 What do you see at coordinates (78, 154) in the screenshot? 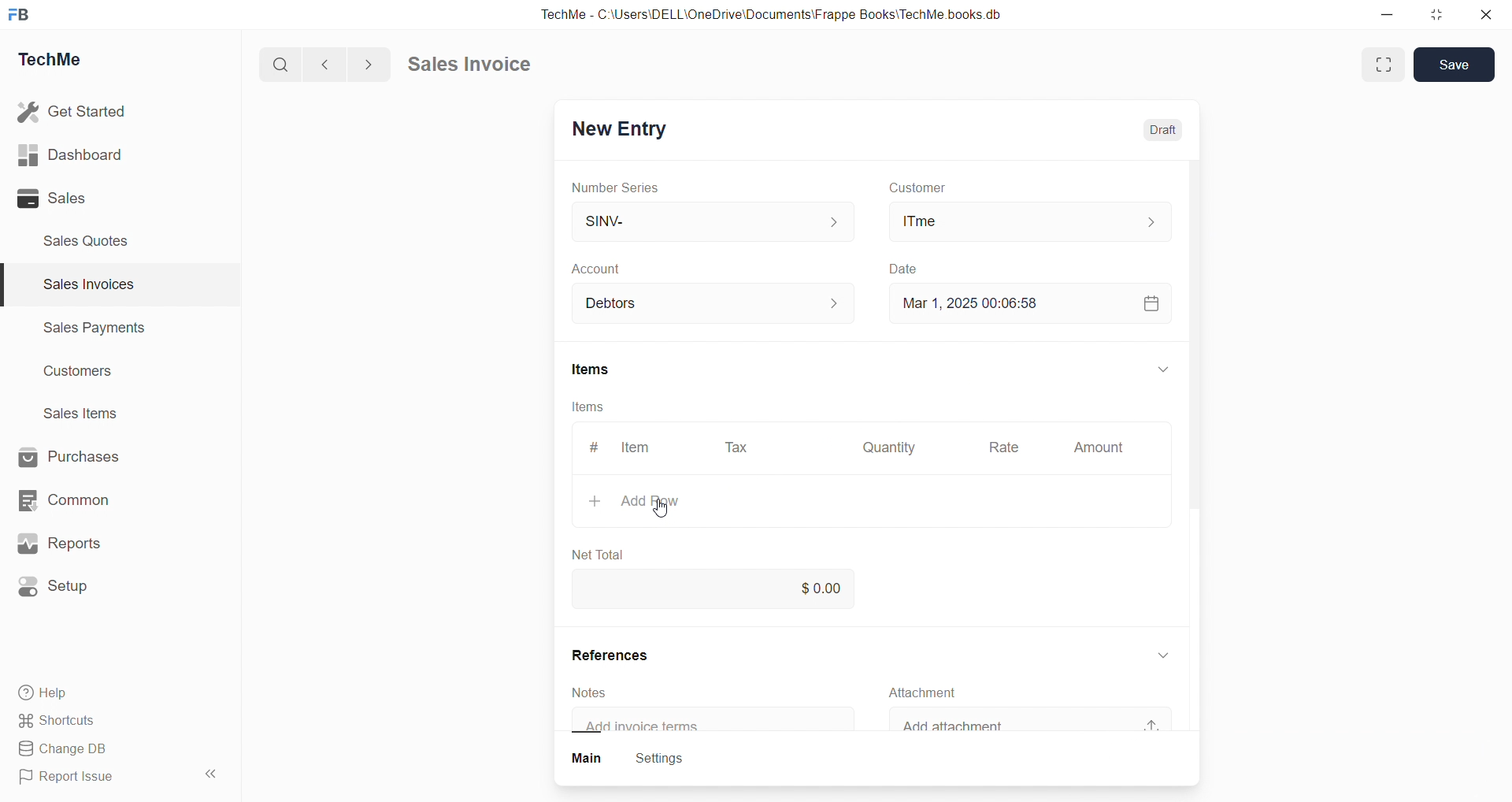
I see `ull Dashboard` at bounding box center [78, 154].